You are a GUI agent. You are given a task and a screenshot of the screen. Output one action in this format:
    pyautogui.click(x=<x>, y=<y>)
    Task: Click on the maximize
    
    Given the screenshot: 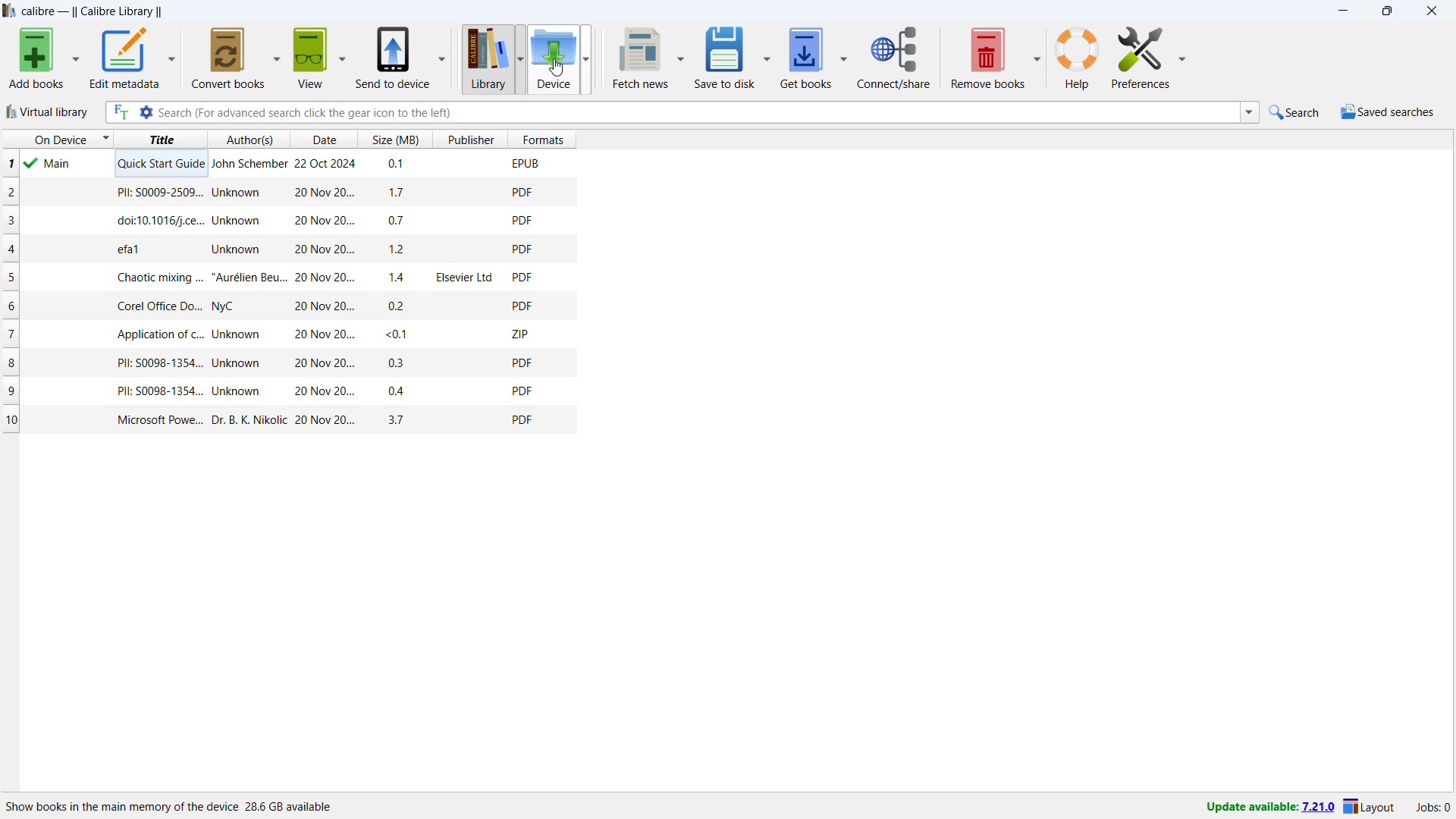 What is the action you would take?
    pyautogui.click(x=1385, y=11)
    